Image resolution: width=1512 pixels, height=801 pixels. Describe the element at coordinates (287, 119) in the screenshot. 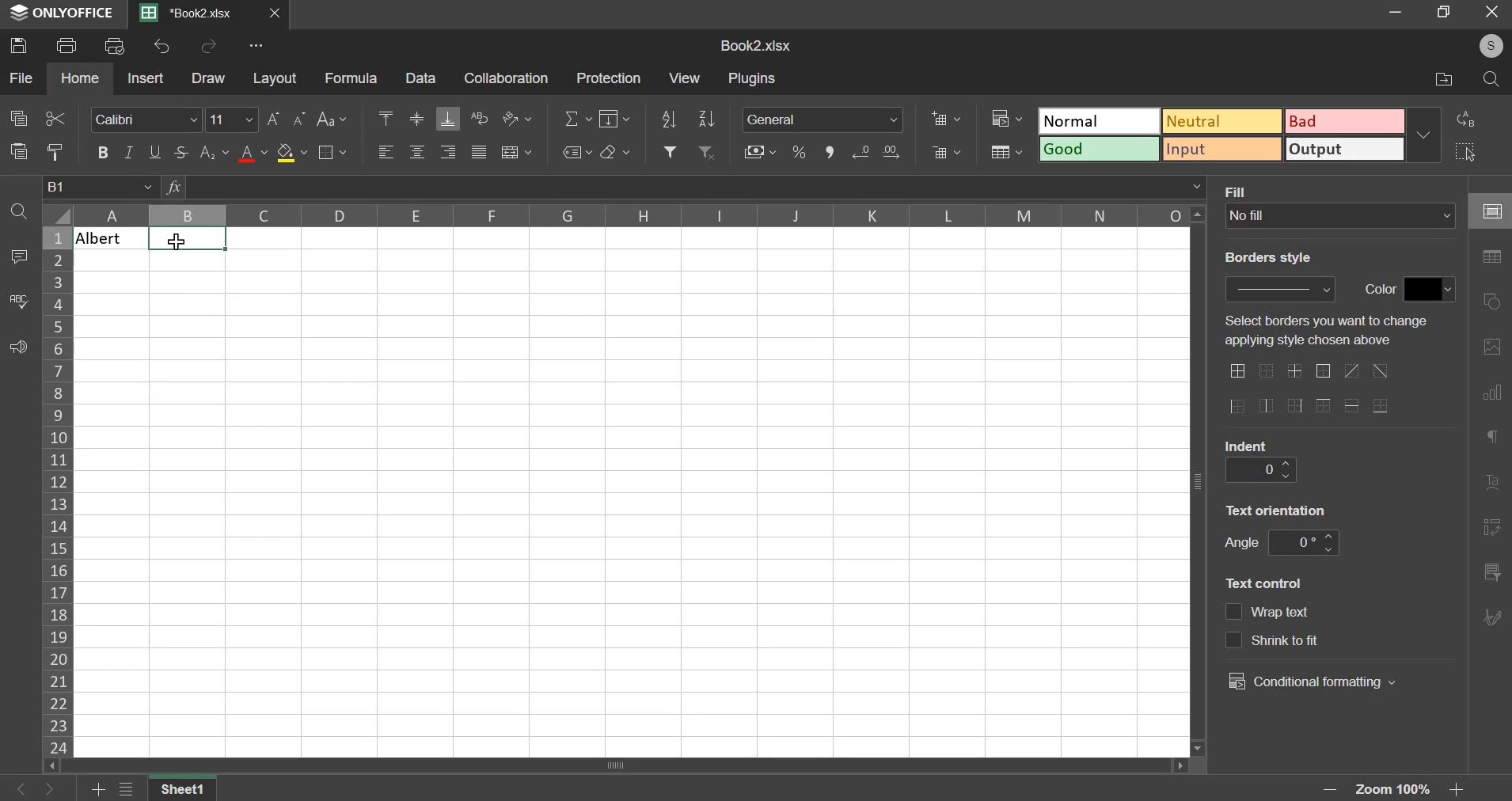

I see `font size increase/decrease` at that location.